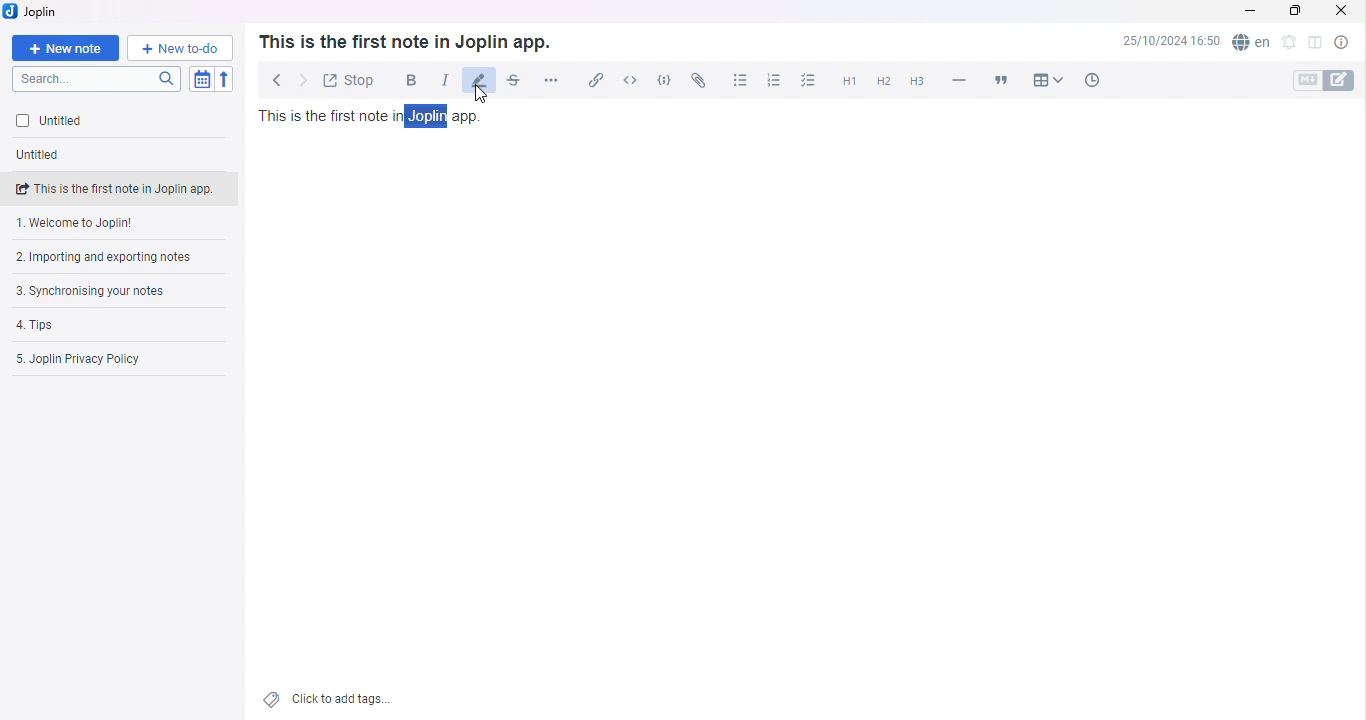 The image size is (1366, 720). What do you see at coordinates (698, 79) in the screenshot?
I see `Attach file` at bounding box center [698, 79].